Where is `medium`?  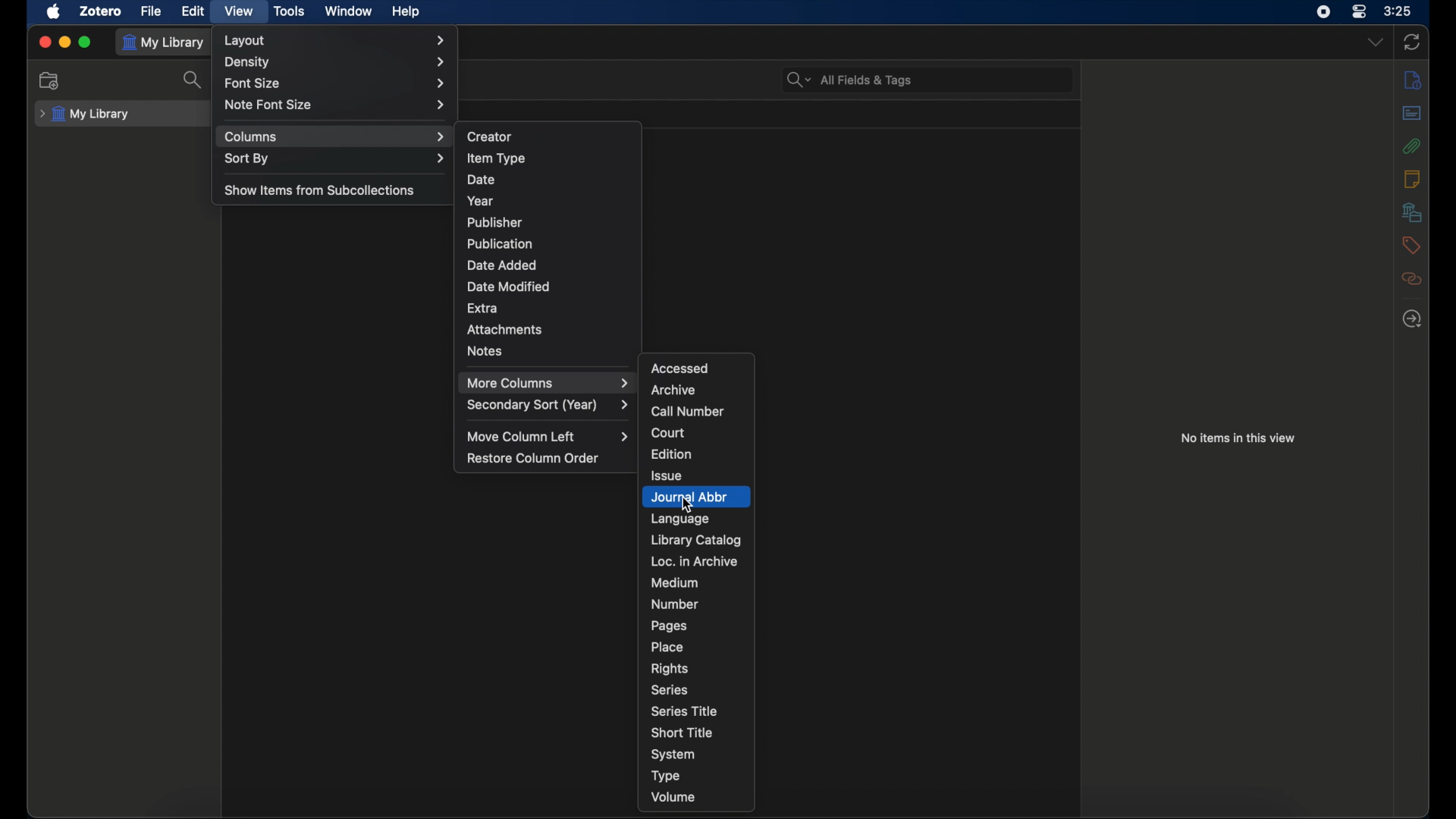
medium is located at coordinates (675, 583).